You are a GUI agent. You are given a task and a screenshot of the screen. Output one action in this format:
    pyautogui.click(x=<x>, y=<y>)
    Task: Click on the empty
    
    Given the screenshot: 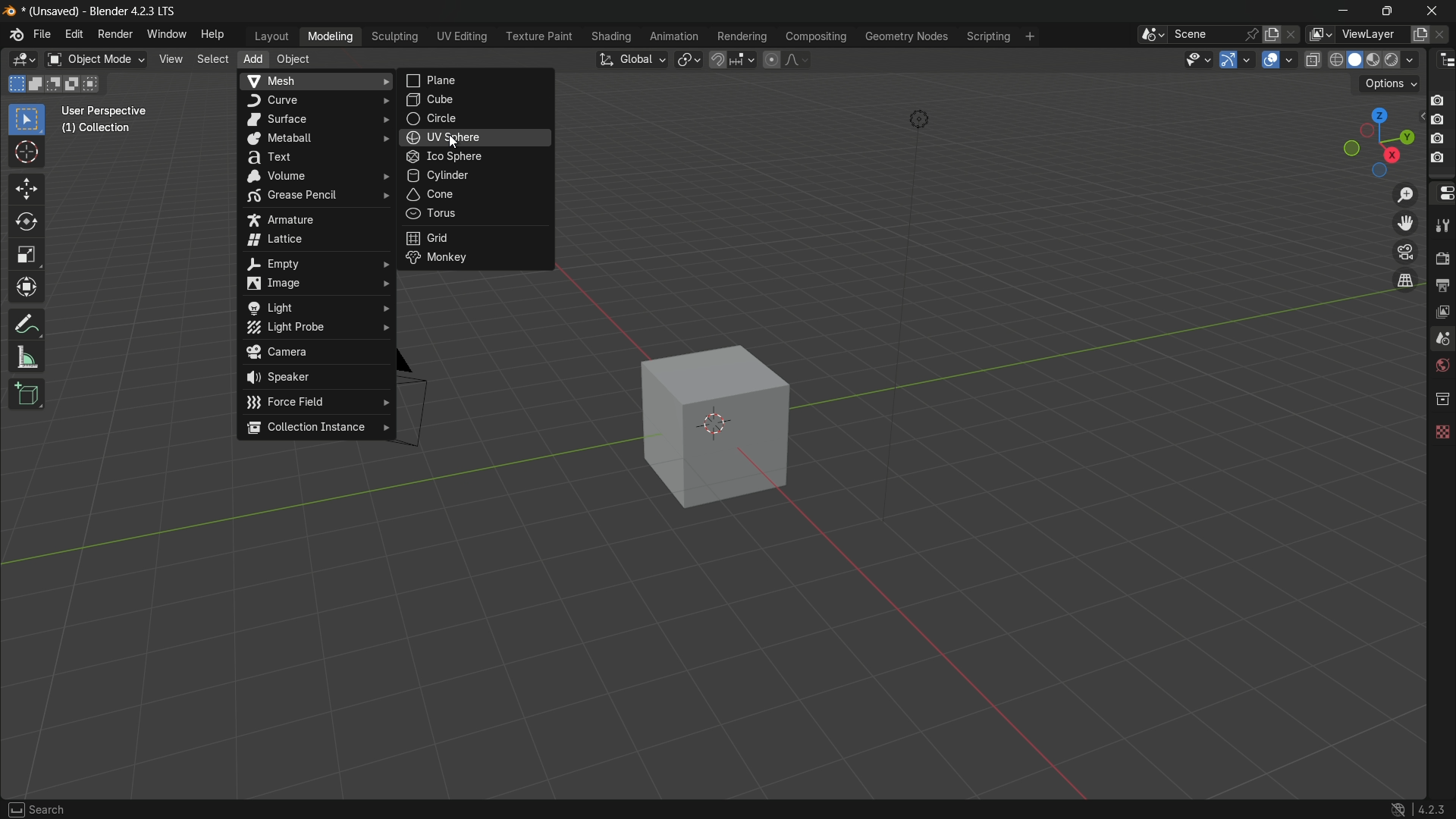 What is the action you would take?
    pyautogui.click(x=315, y=262)
    